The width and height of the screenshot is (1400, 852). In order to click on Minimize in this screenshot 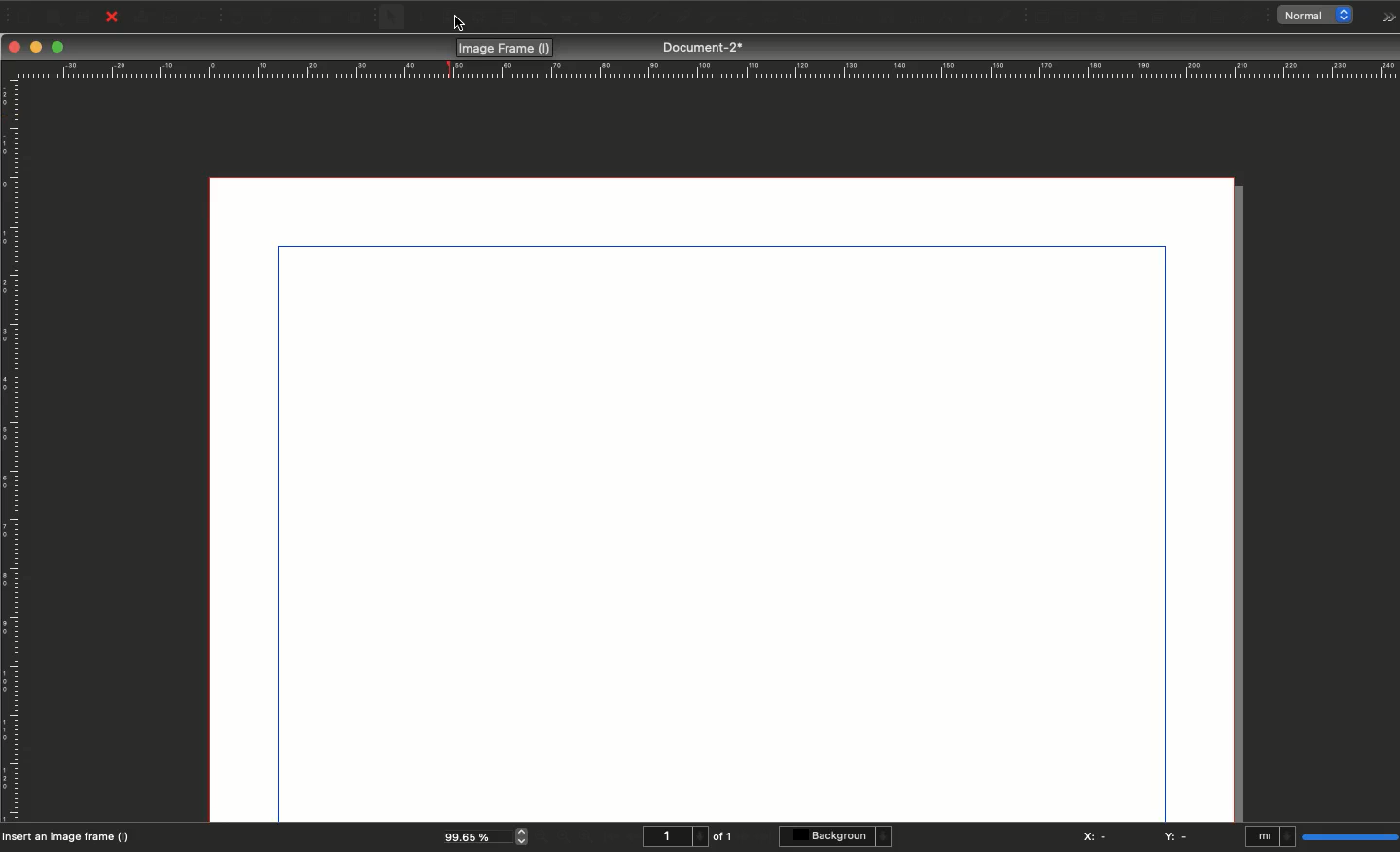, I will do `click(38, 48)`.